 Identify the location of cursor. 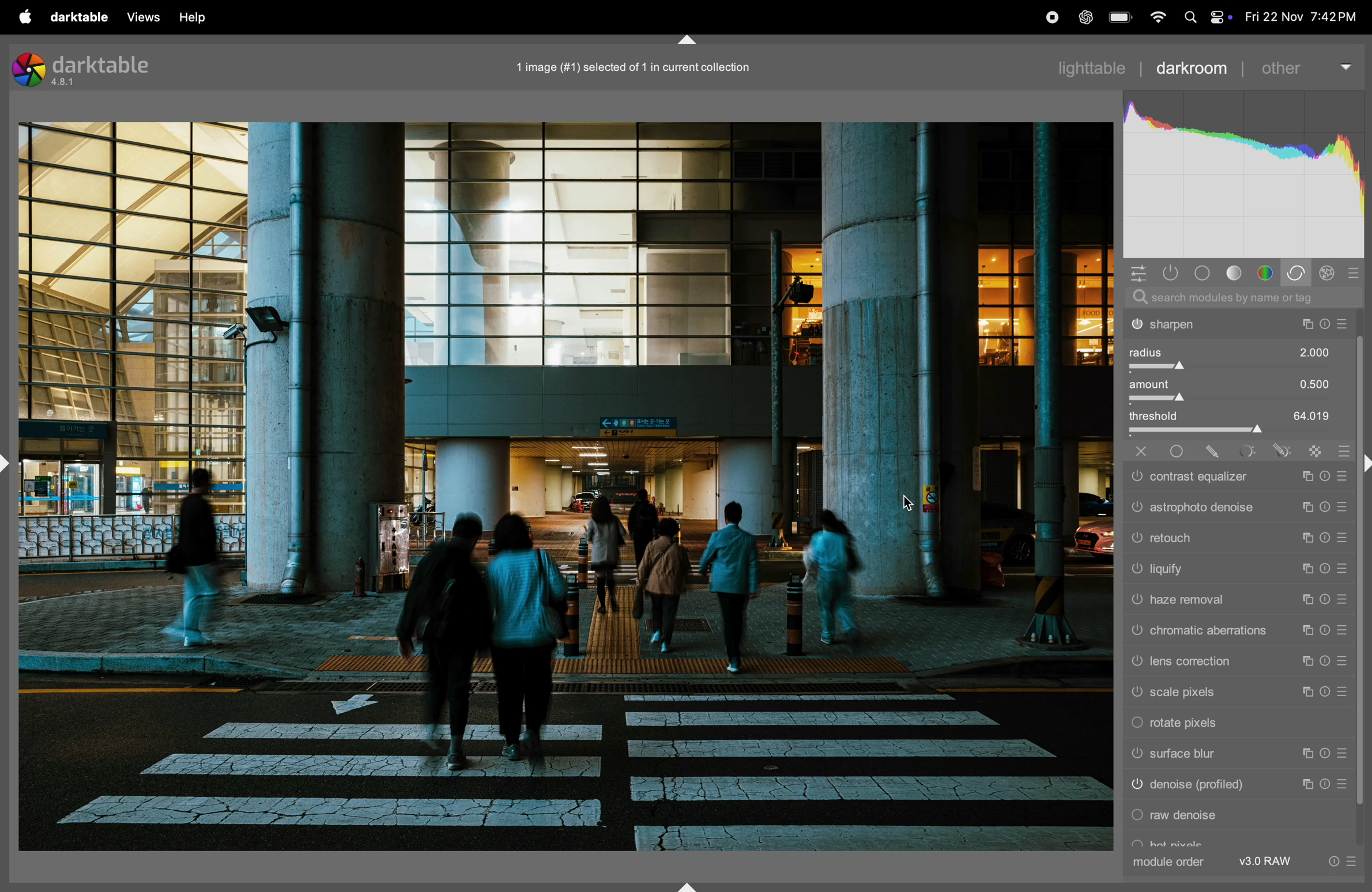
(910, 502).